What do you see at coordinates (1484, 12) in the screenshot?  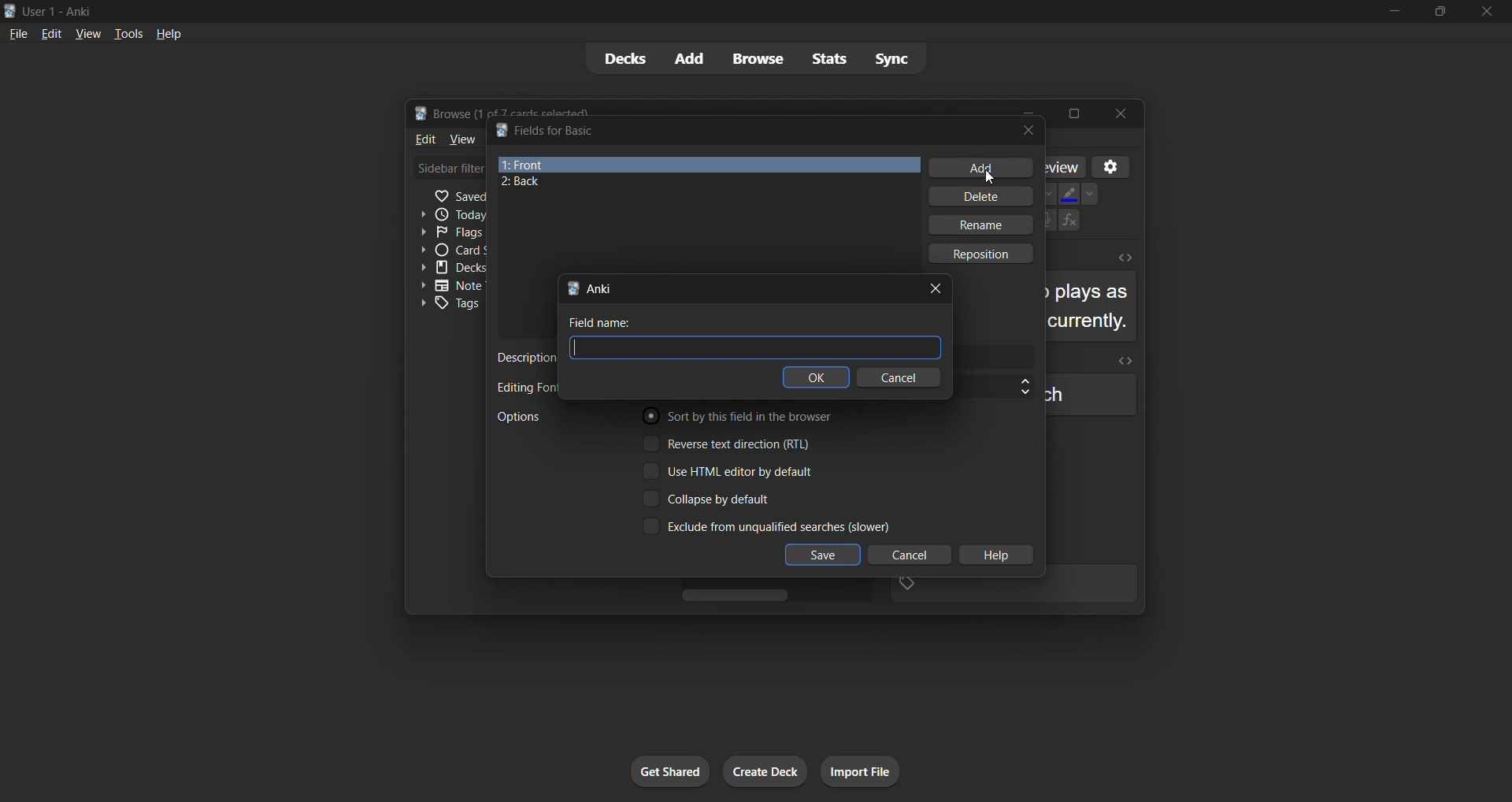 I see `close` at bounding box center [1484, 12].